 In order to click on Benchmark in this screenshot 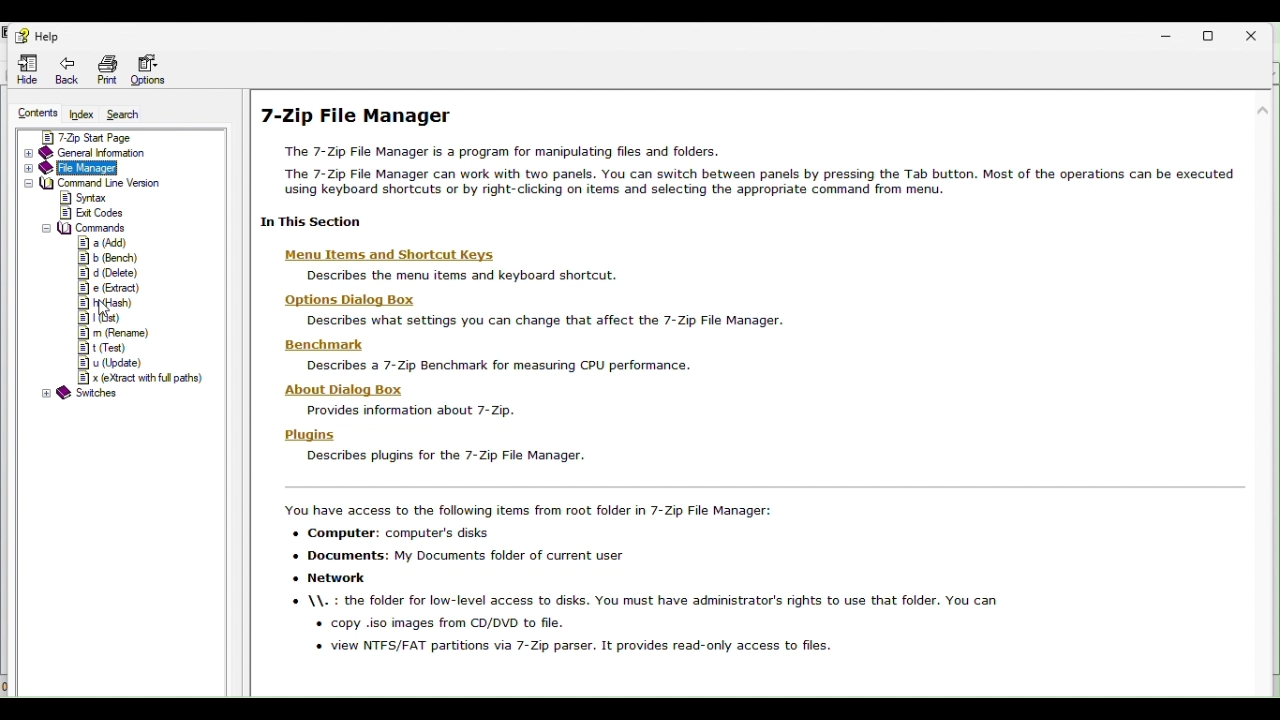, I will do `click(484, 353)`.